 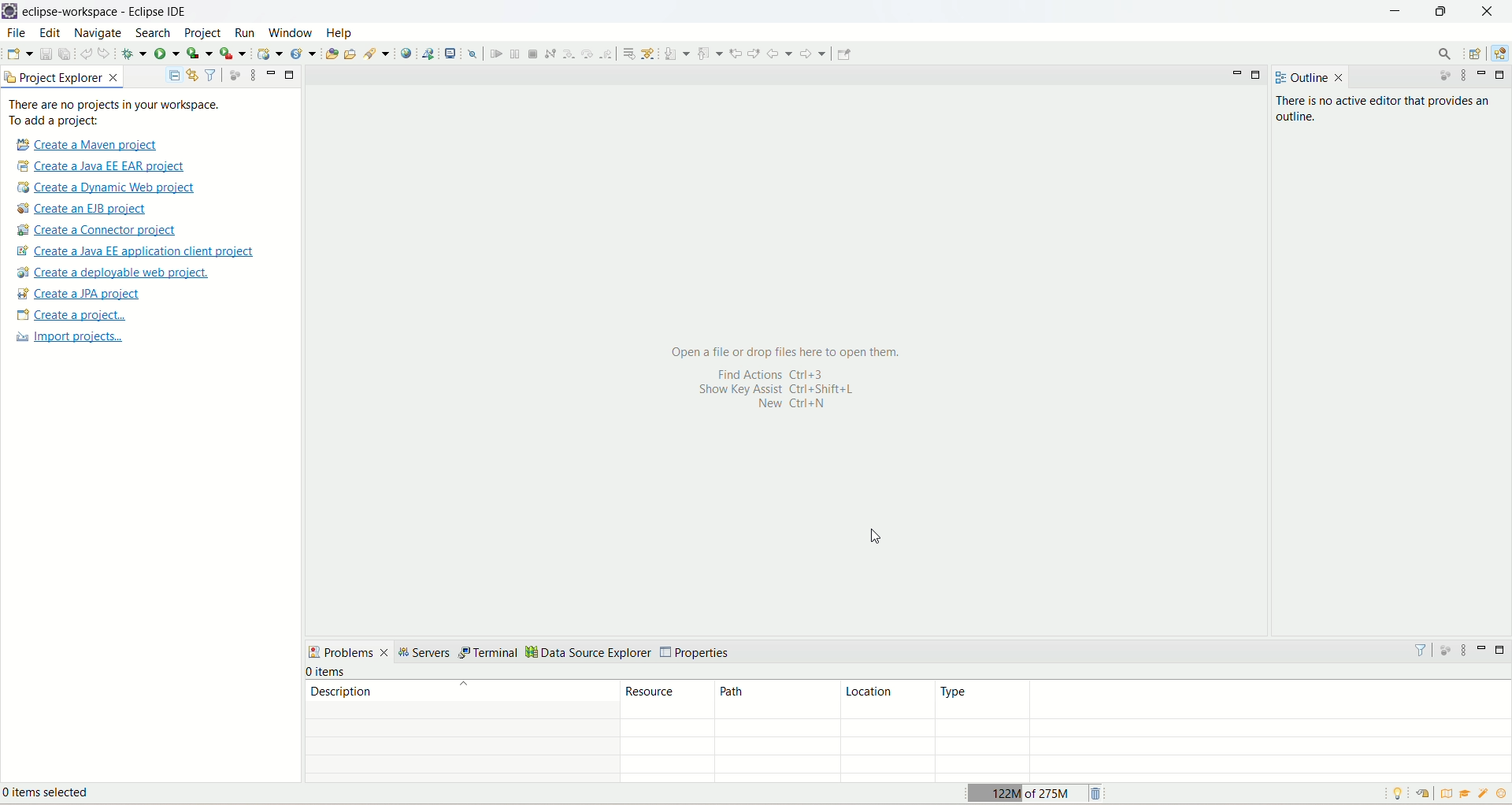 I want to click on type, so click(x=1222, y=699).